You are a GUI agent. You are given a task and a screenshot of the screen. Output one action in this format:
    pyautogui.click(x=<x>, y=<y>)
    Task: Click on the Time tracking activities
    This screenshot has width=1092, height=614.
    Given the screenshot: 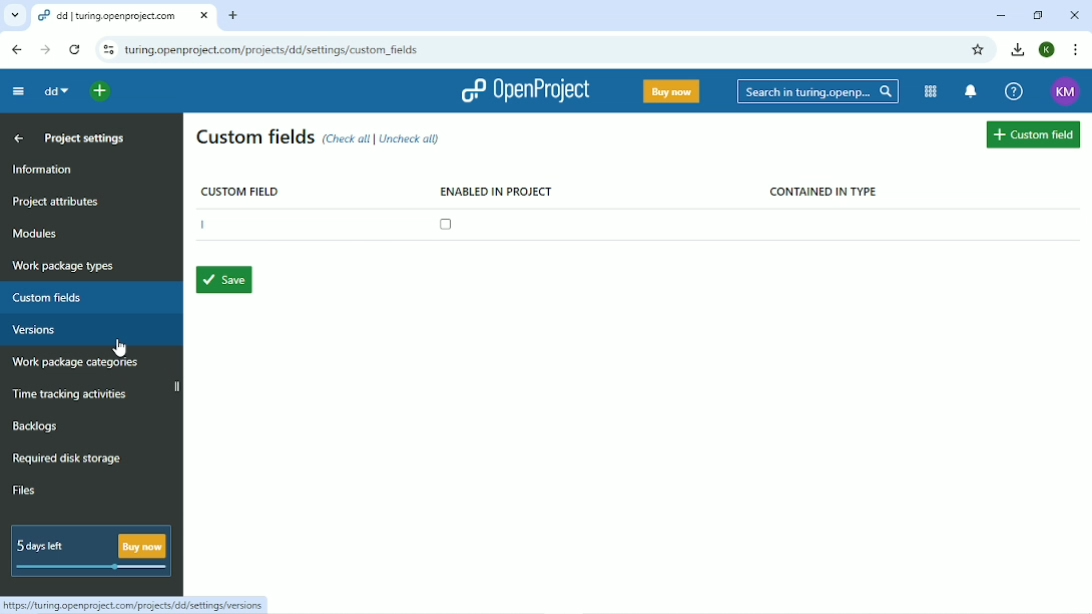 What is the action you would take?
    pyautogui.click(x=70, y=393)
    